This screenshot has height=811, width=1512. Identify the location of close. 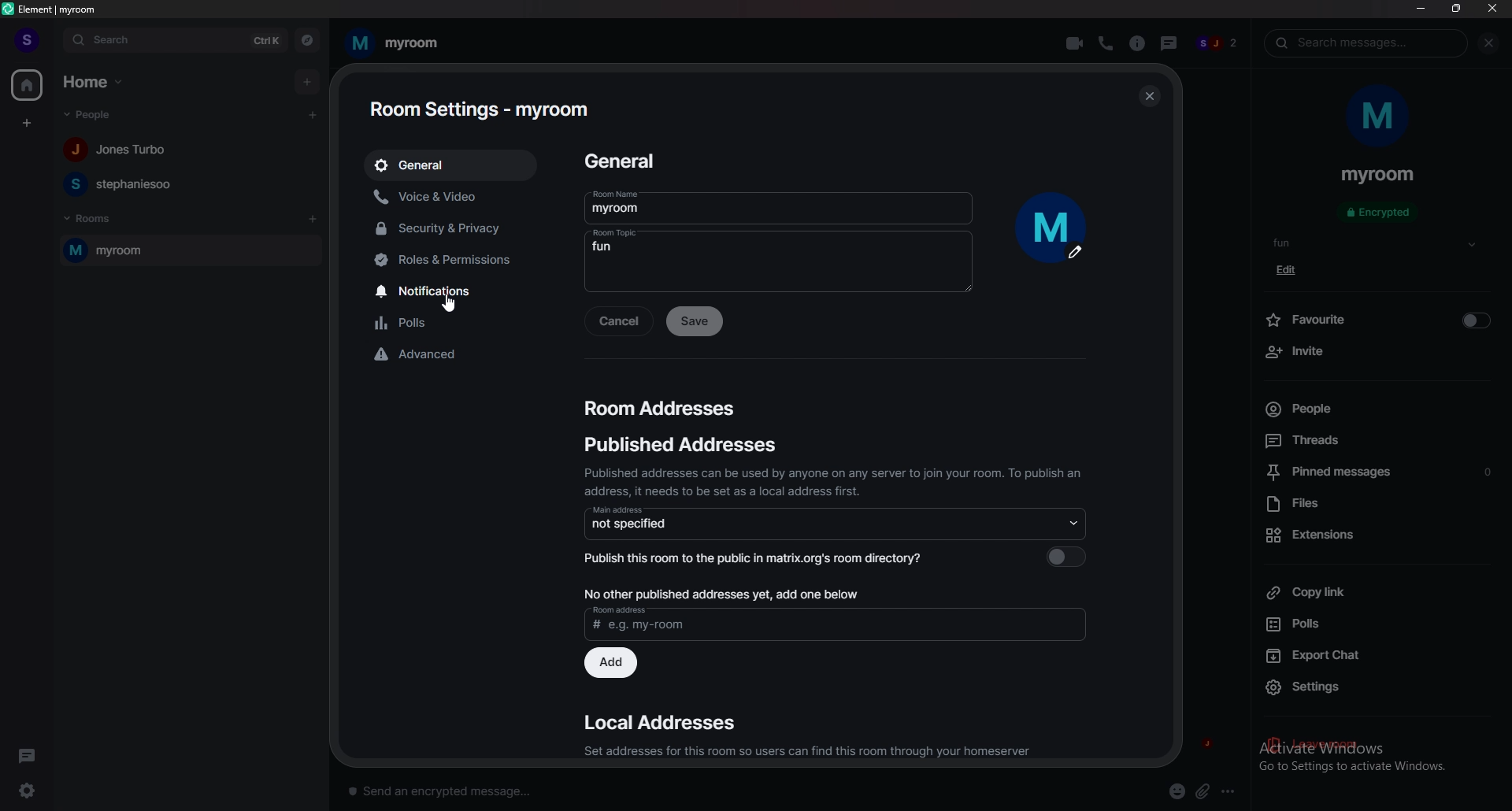
(1492, 8).